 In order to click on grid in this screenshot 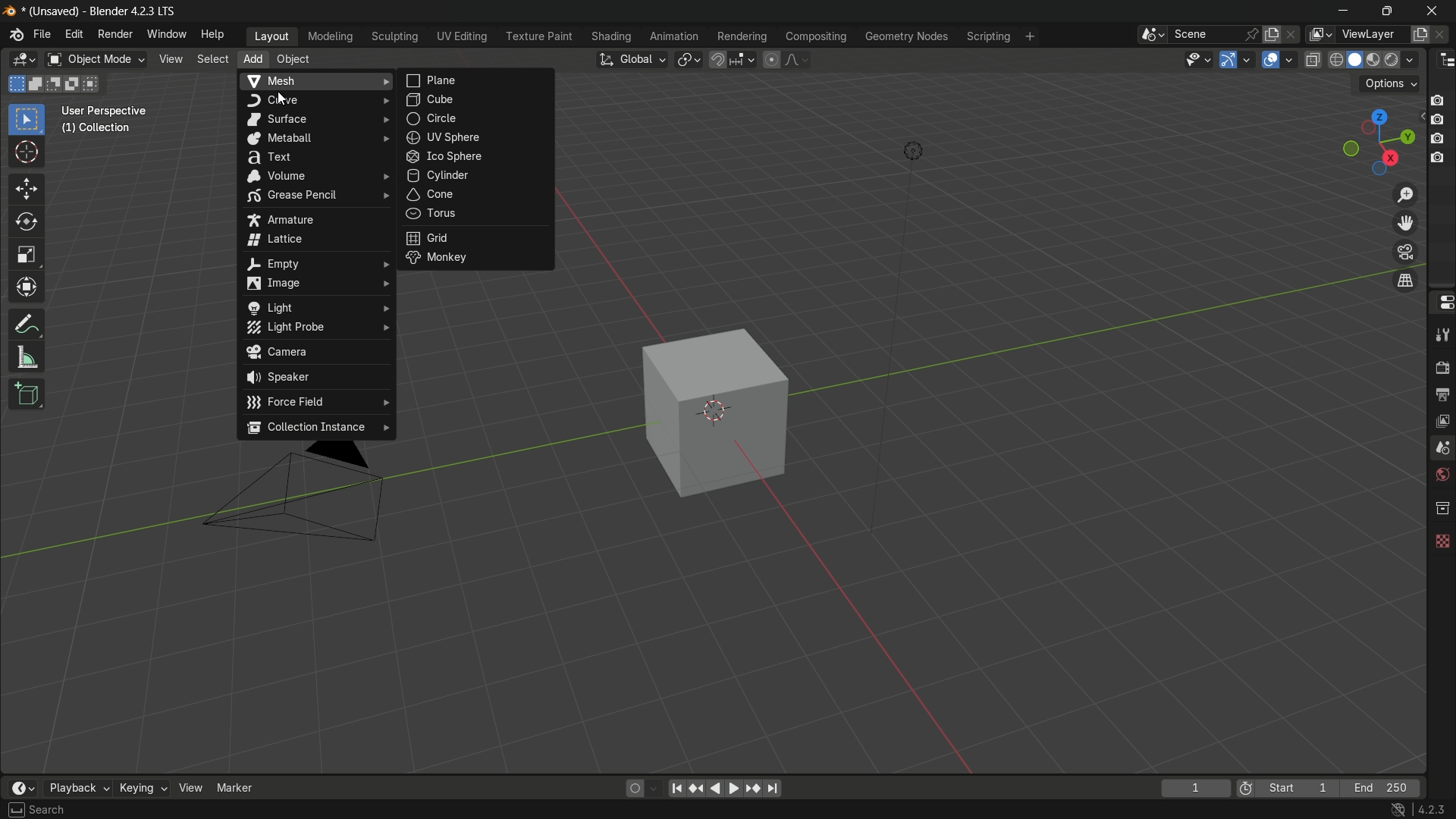, I will do `click(475, 237)`.